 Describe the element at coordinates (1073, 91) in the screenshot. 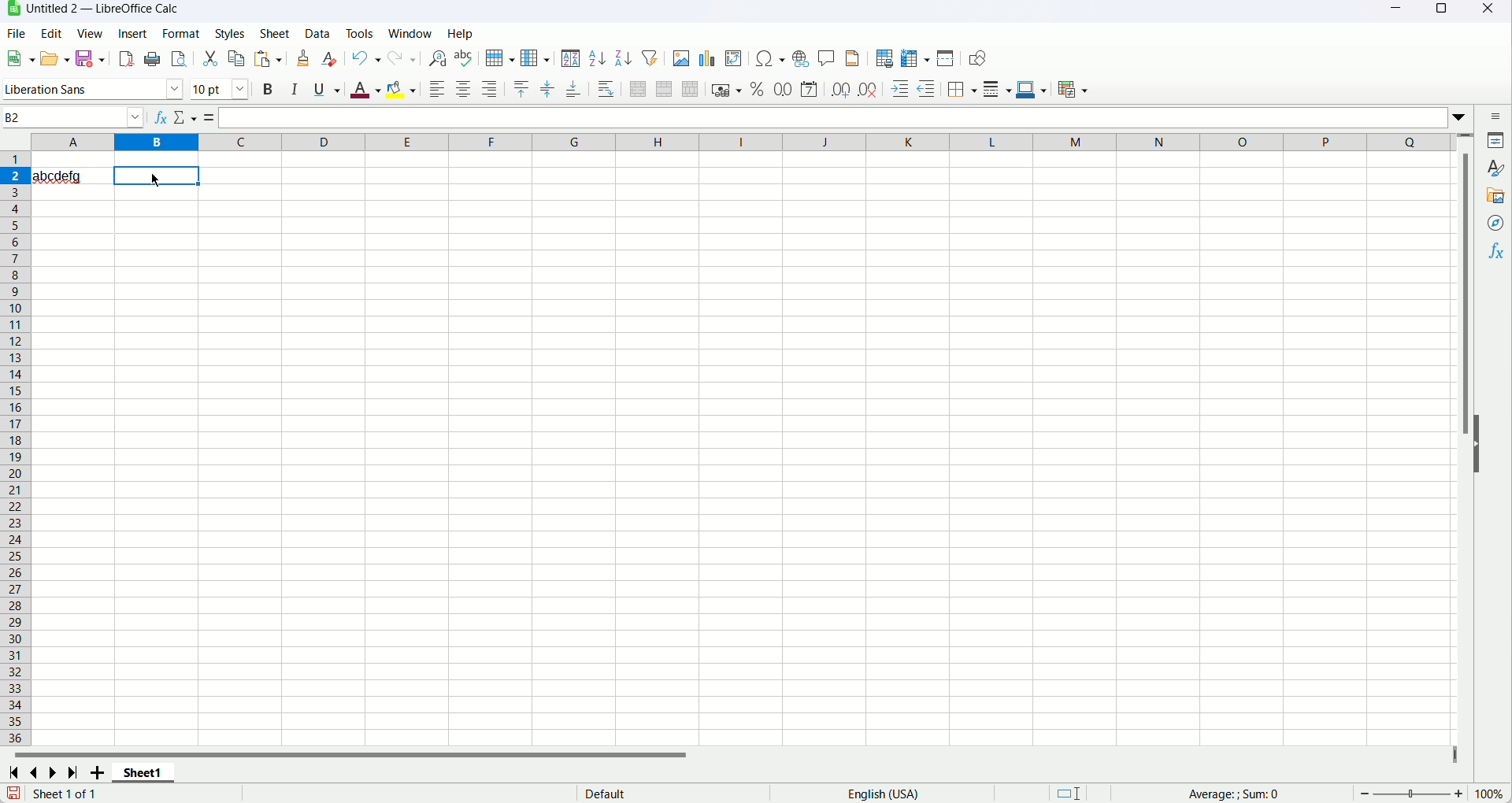

I see `conditional` at that location.